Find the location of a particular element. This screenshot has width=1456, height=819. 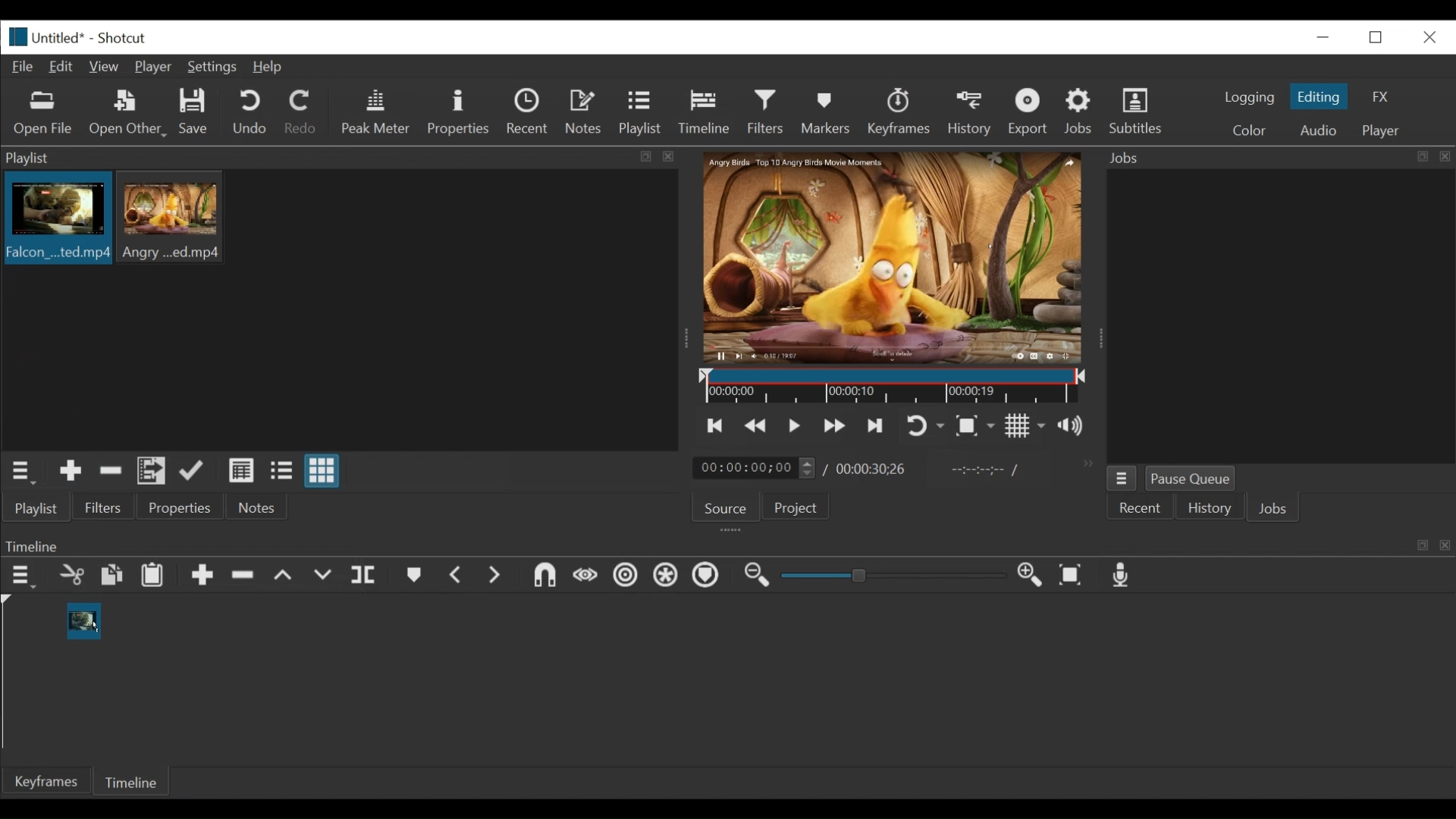

minimize is located at coordinates (1323, 36).